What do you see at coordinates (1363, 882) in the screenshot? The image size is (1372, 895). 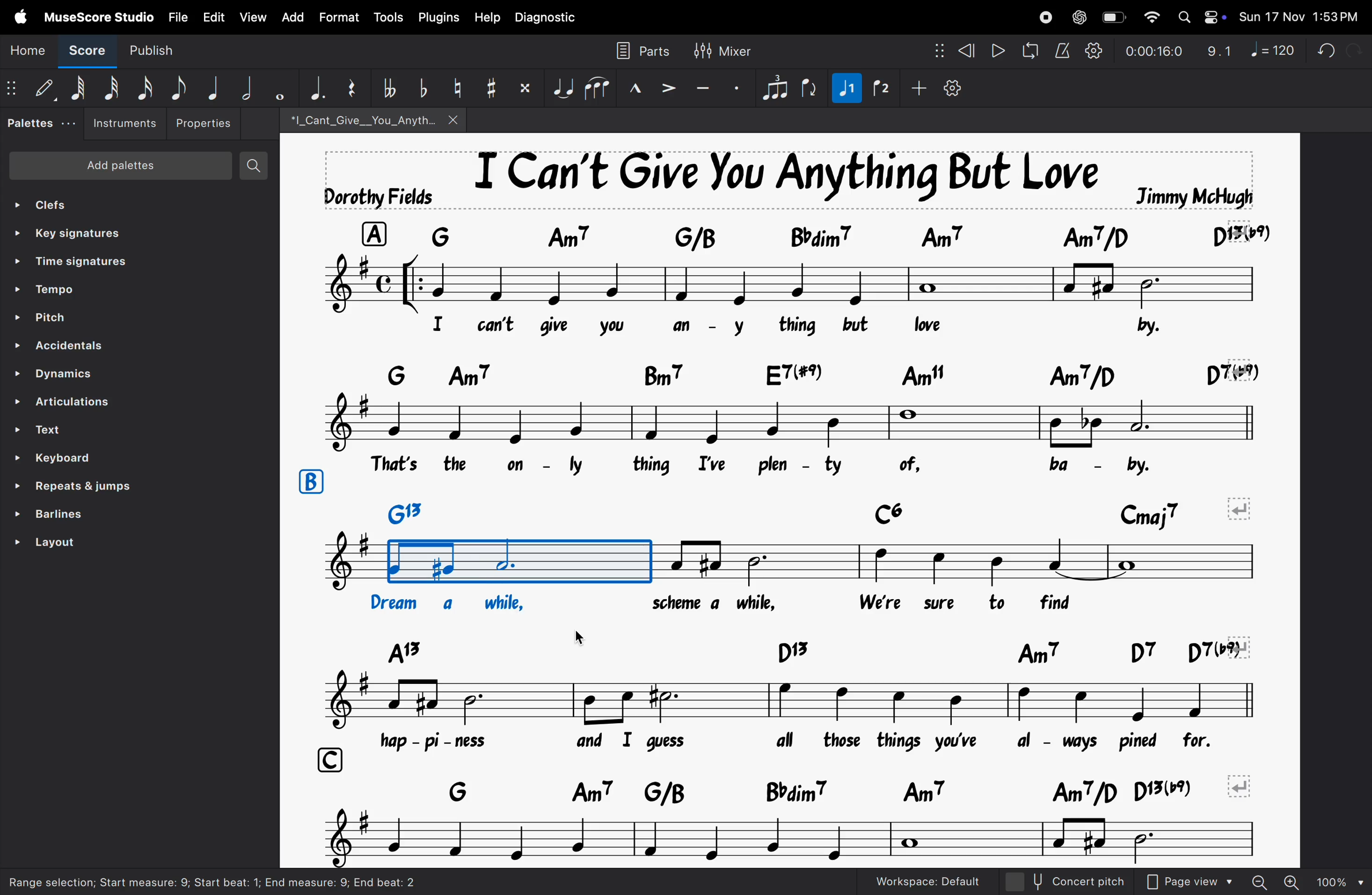 I see `cursor on rythym` at bounding box center [1363, 882].